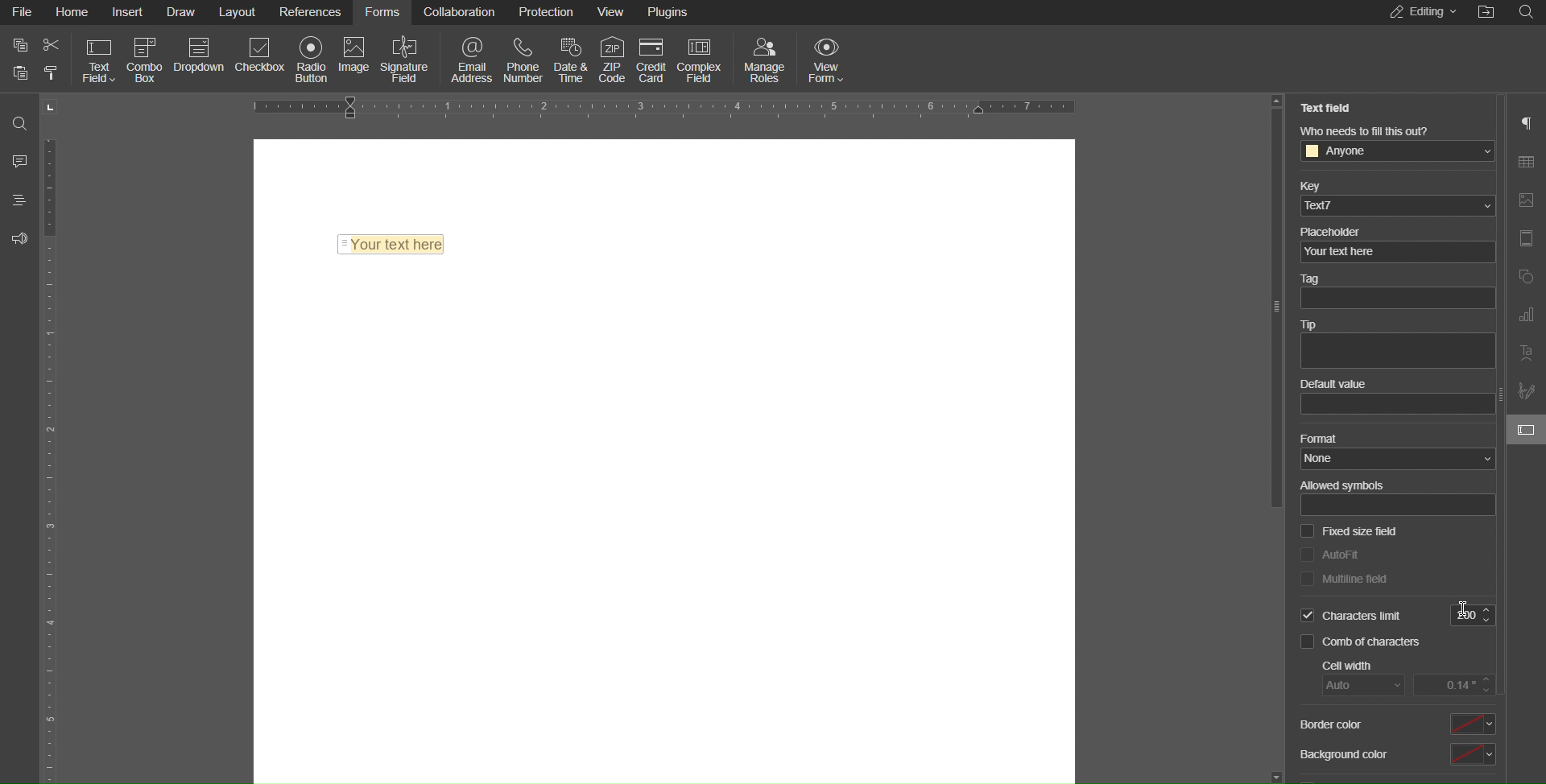  Describe the element at coordinates (1395, 398) in the screenshot. I see `Default value` at that location.